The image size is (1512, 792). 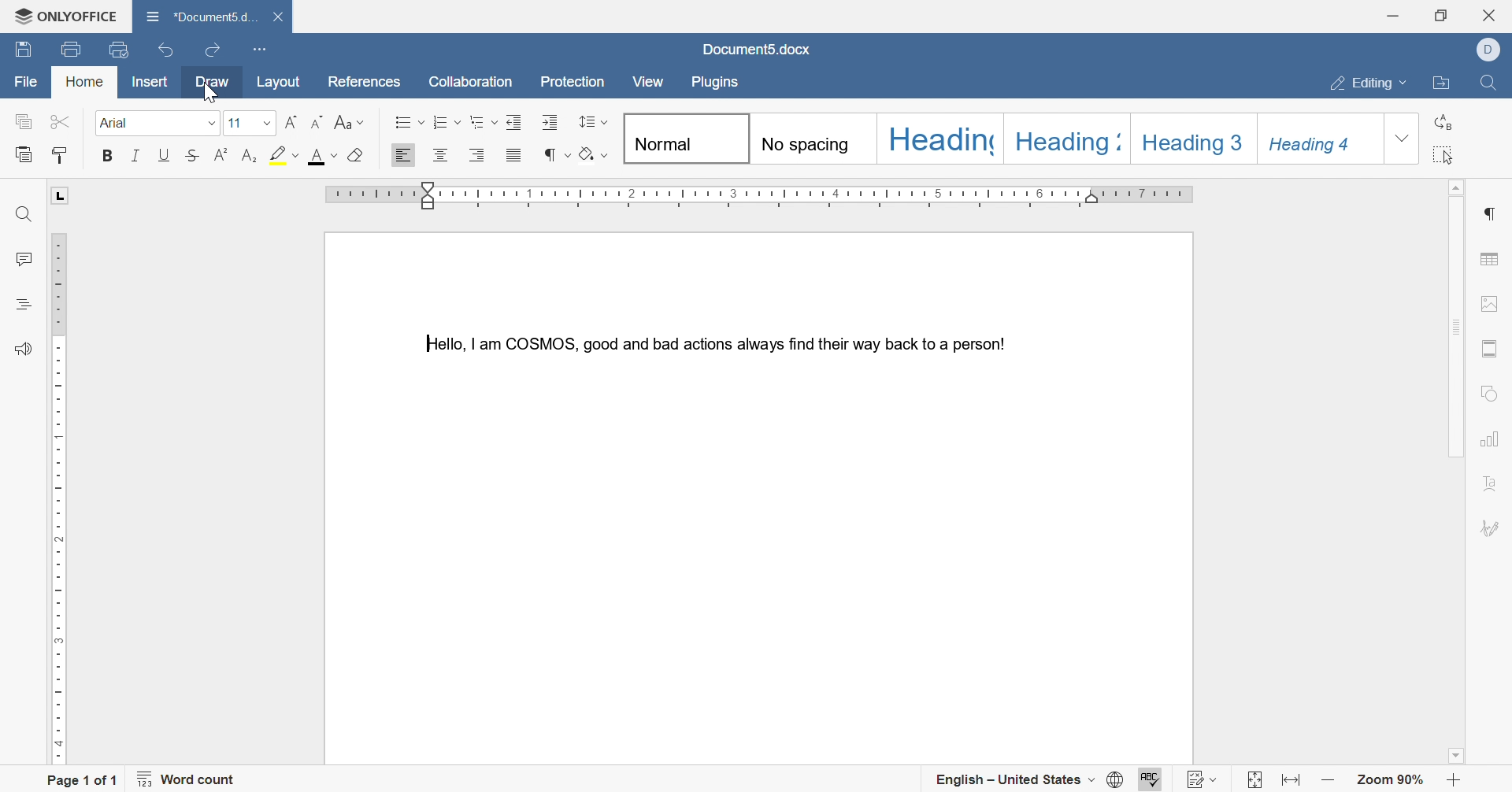 I want to click on find, so click(x=21, y=216).